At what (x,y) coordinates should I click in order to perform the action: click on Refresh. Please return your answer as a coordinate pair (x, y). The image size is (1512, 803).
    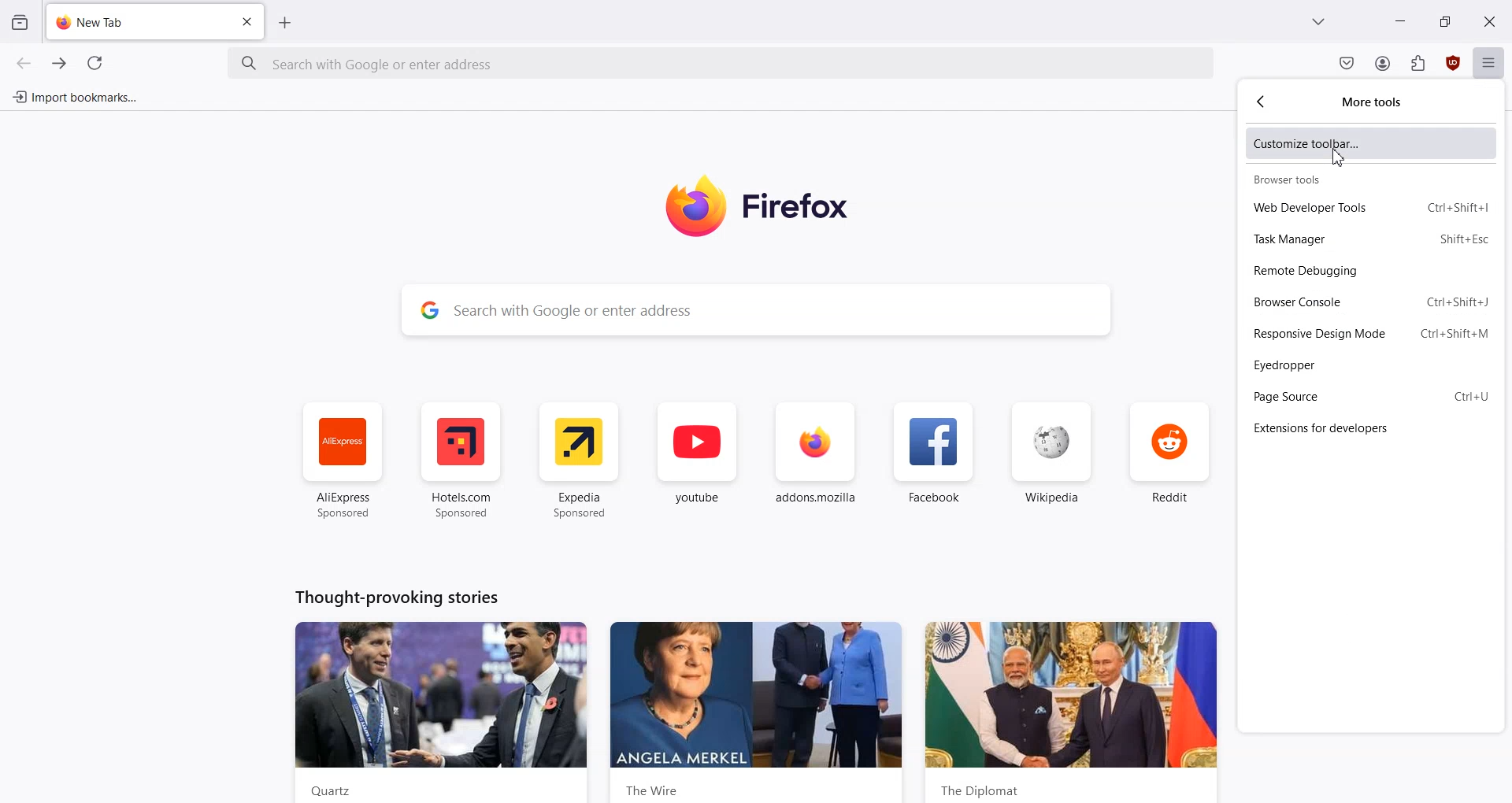
    Looking at the image, I should click on (95, 63).